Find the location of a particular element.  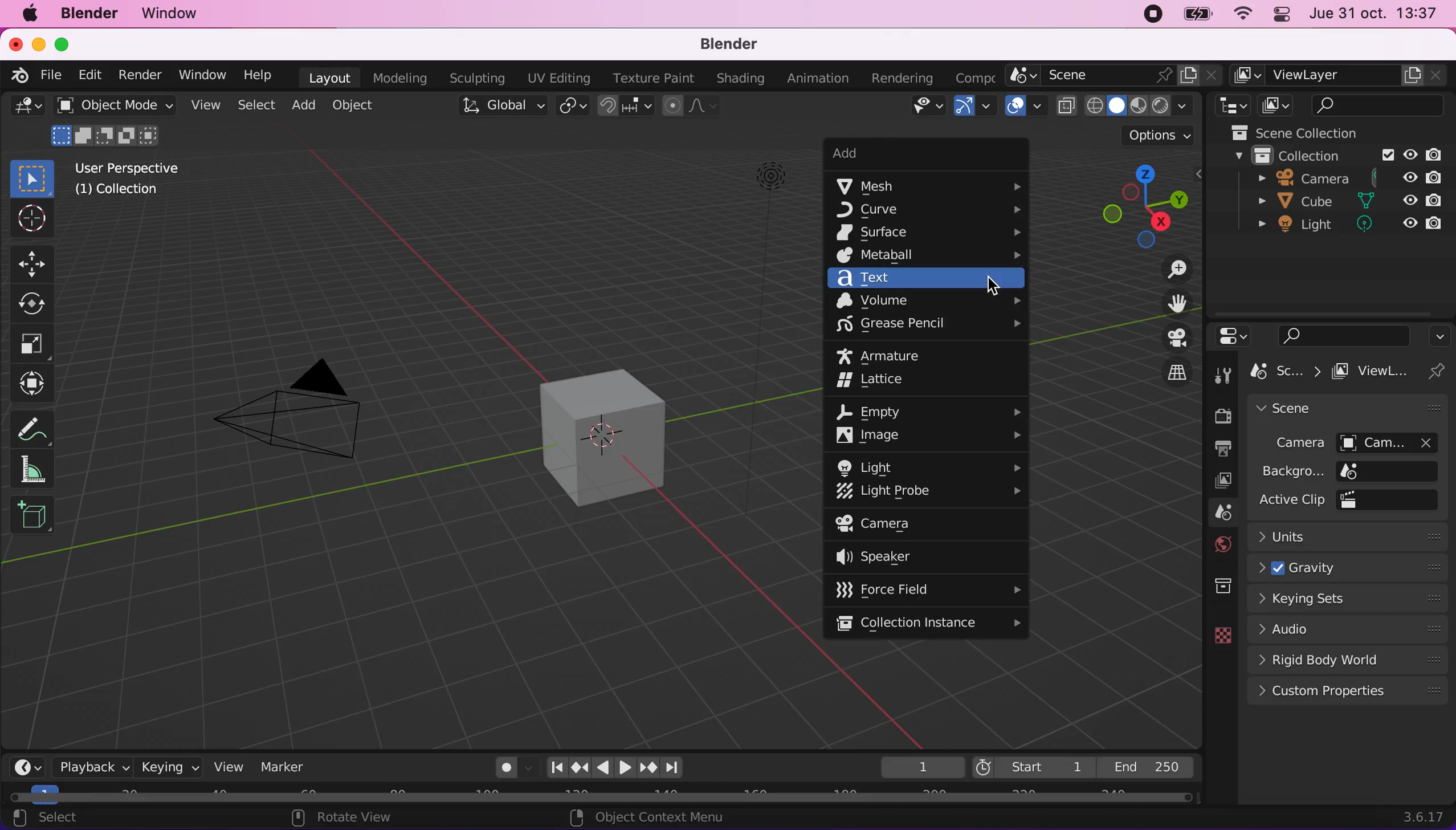

collection instance is located at coordinates (929, 622).